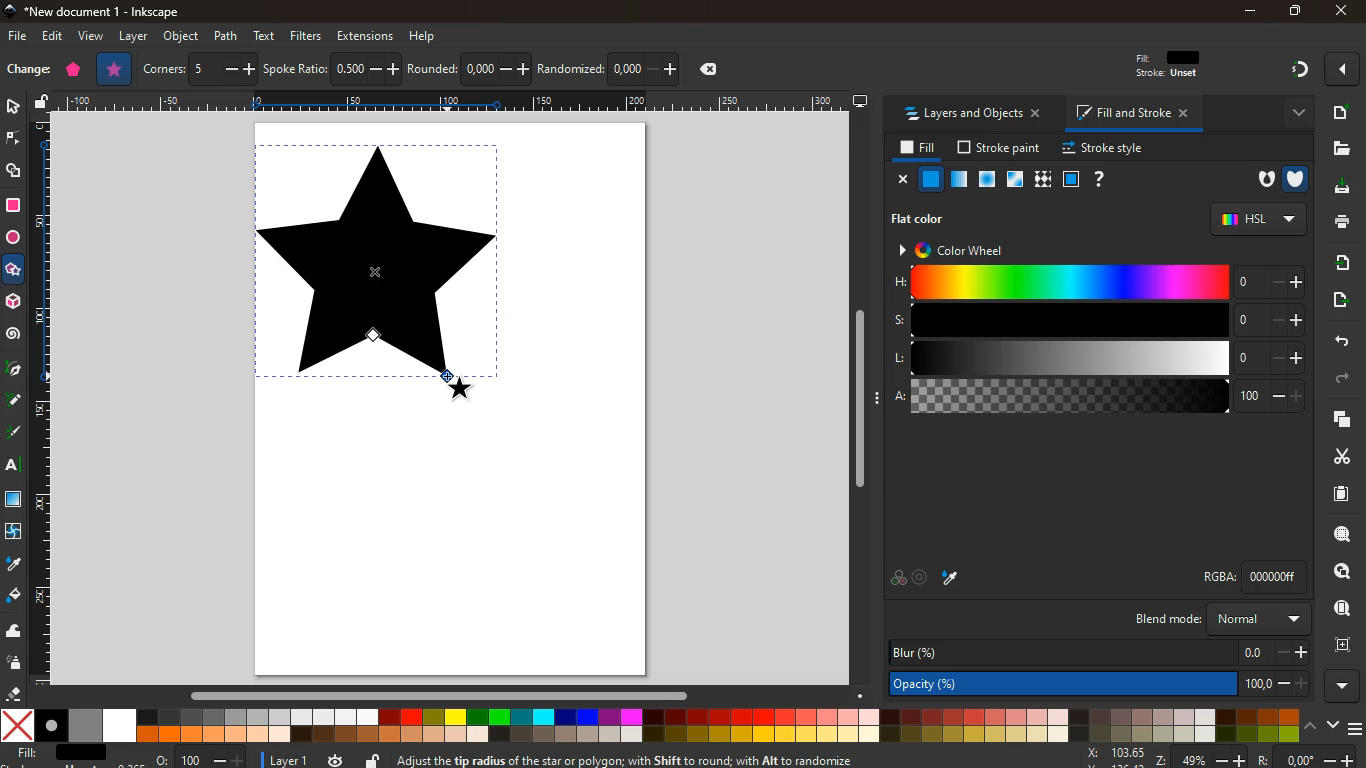  What do you see at coordinates (1098, 358) in the screenshot?
I see `l` at bounding box center [1098, 358].